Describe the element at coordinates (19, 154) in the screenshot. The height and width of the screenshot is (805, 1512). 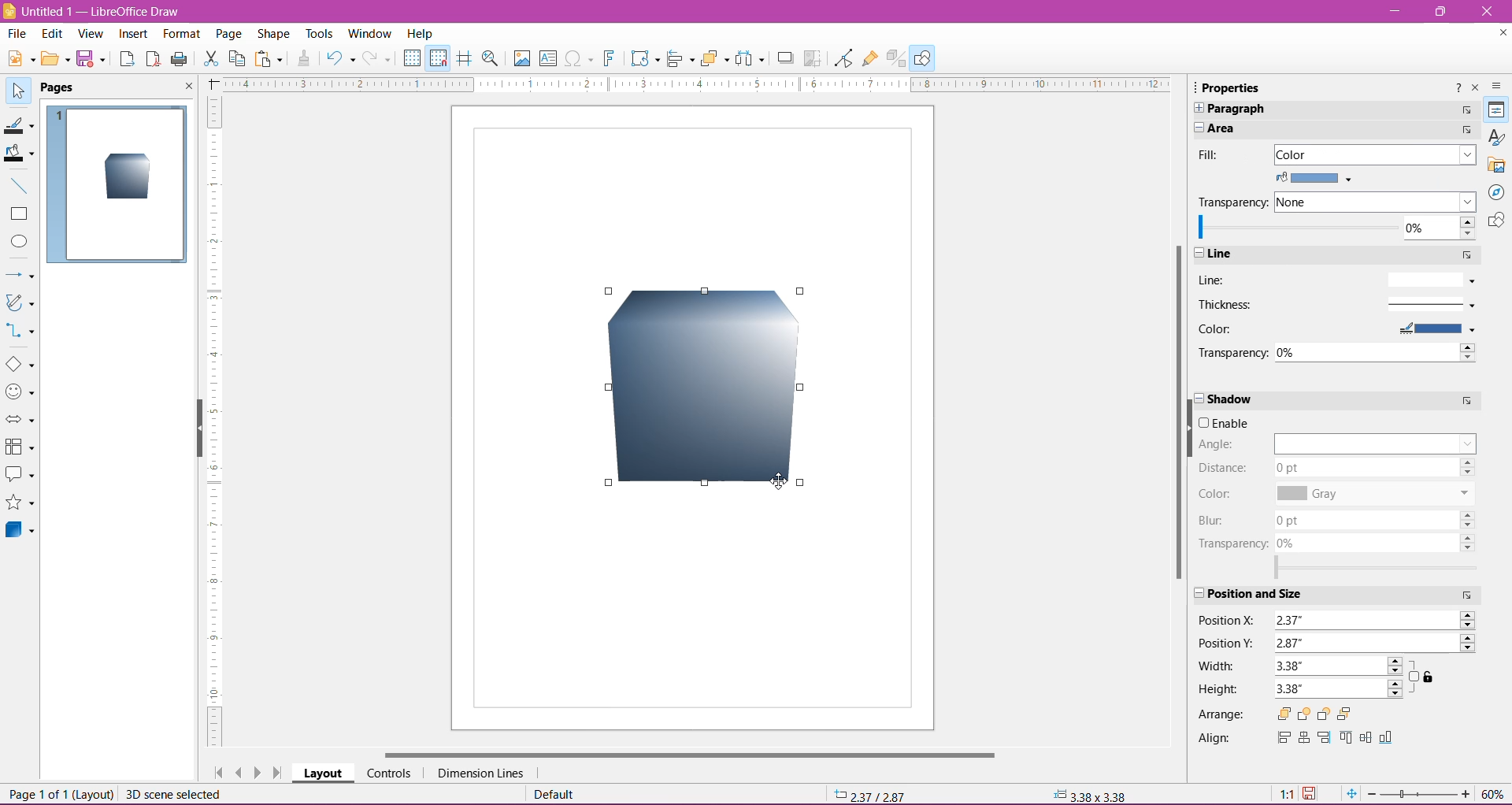
I see `Fill Color` at that location.